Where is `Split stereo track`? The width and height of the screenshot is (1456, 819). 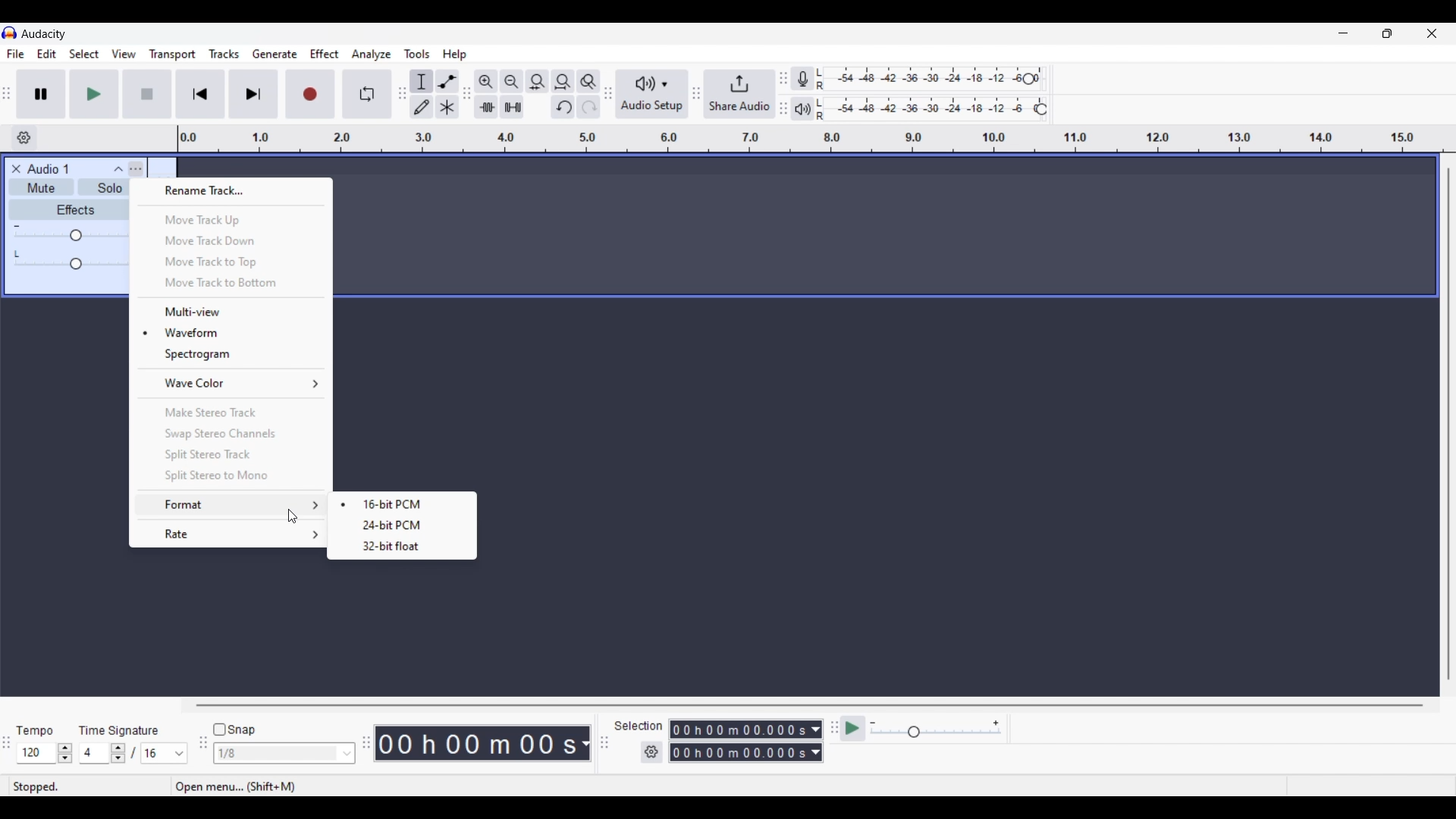 Split stereo track is located at coordinates (231, 454).